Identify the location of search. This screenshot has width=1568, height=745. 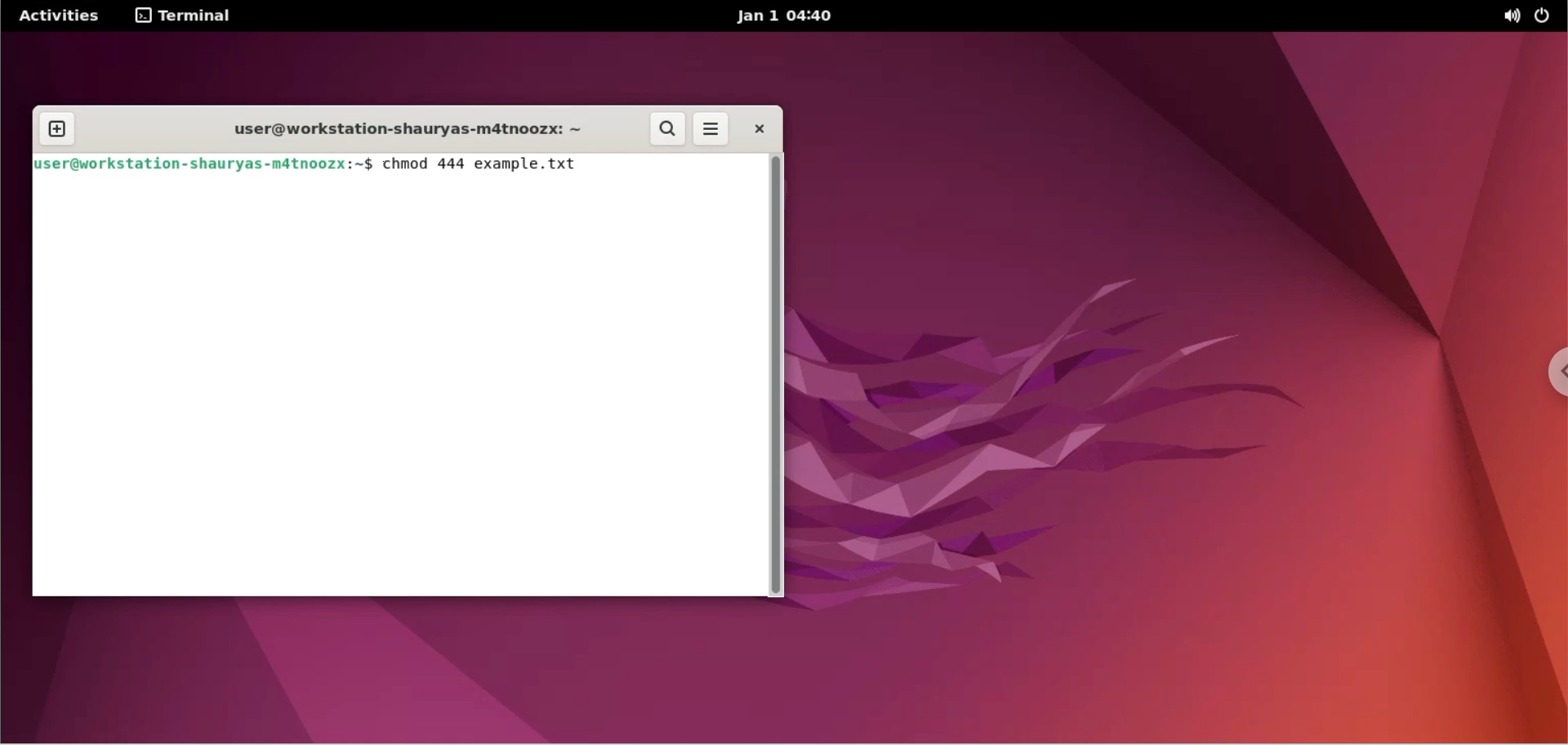
(664, 128).